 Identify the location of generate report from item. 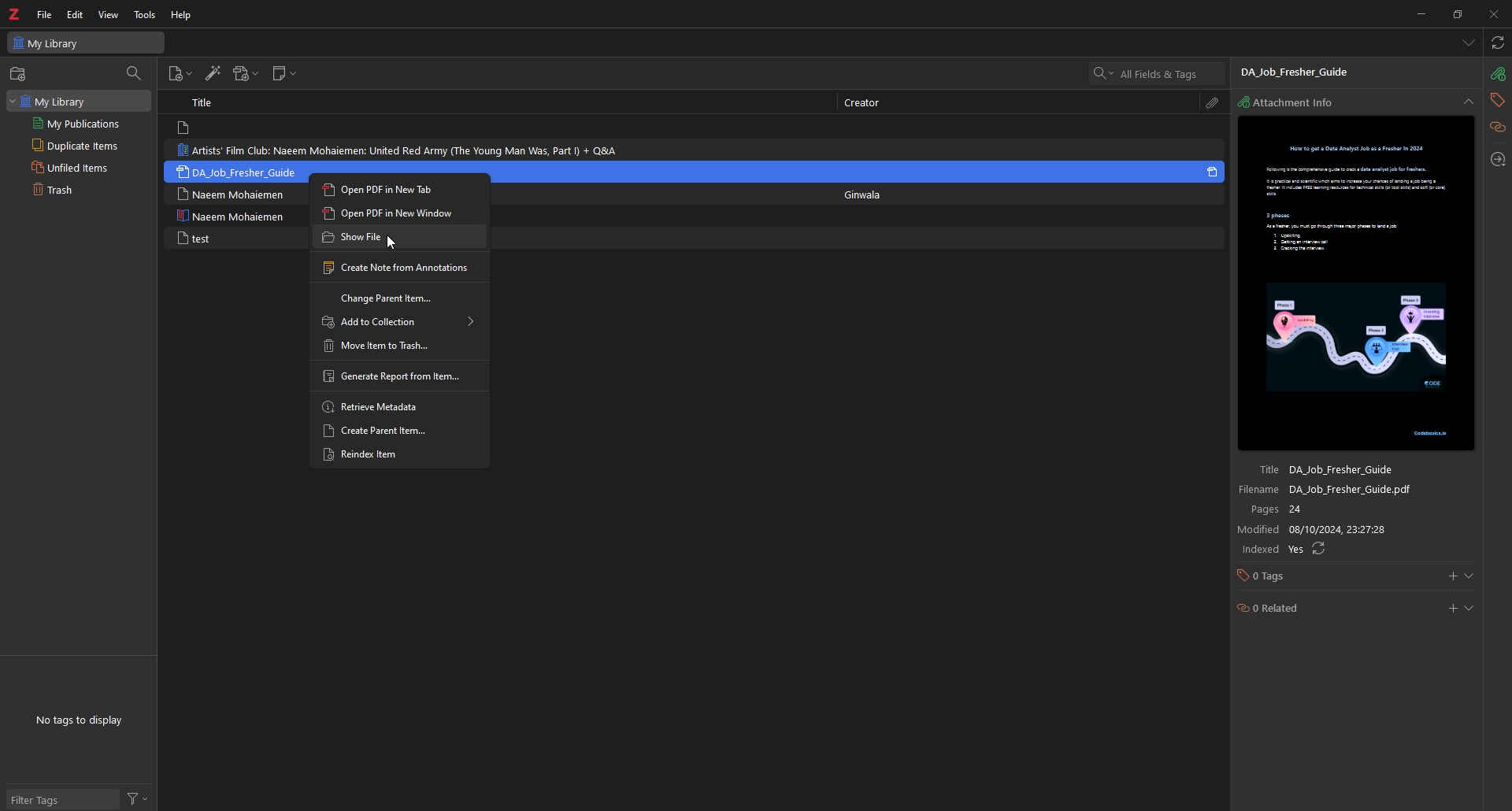
(398, 376).